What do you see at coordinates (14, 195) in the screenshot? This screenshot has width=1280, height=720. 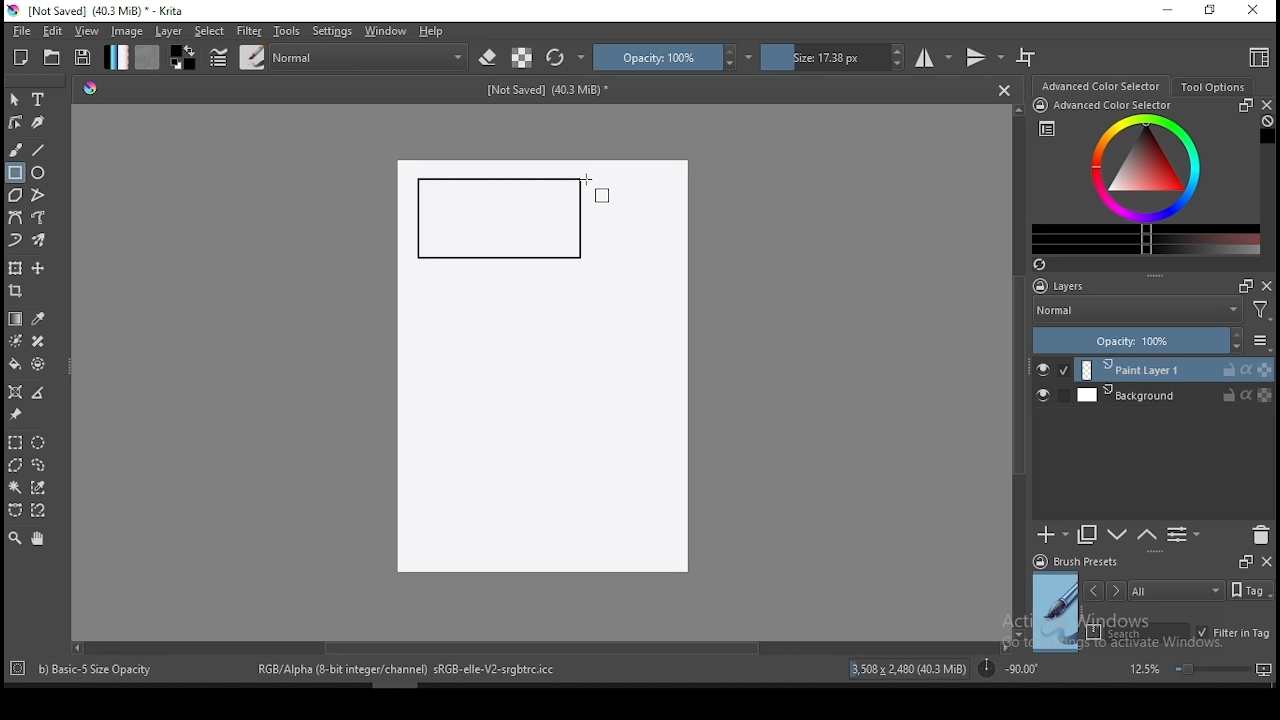 I see `polygon tool` at bounding box center [14, 195].